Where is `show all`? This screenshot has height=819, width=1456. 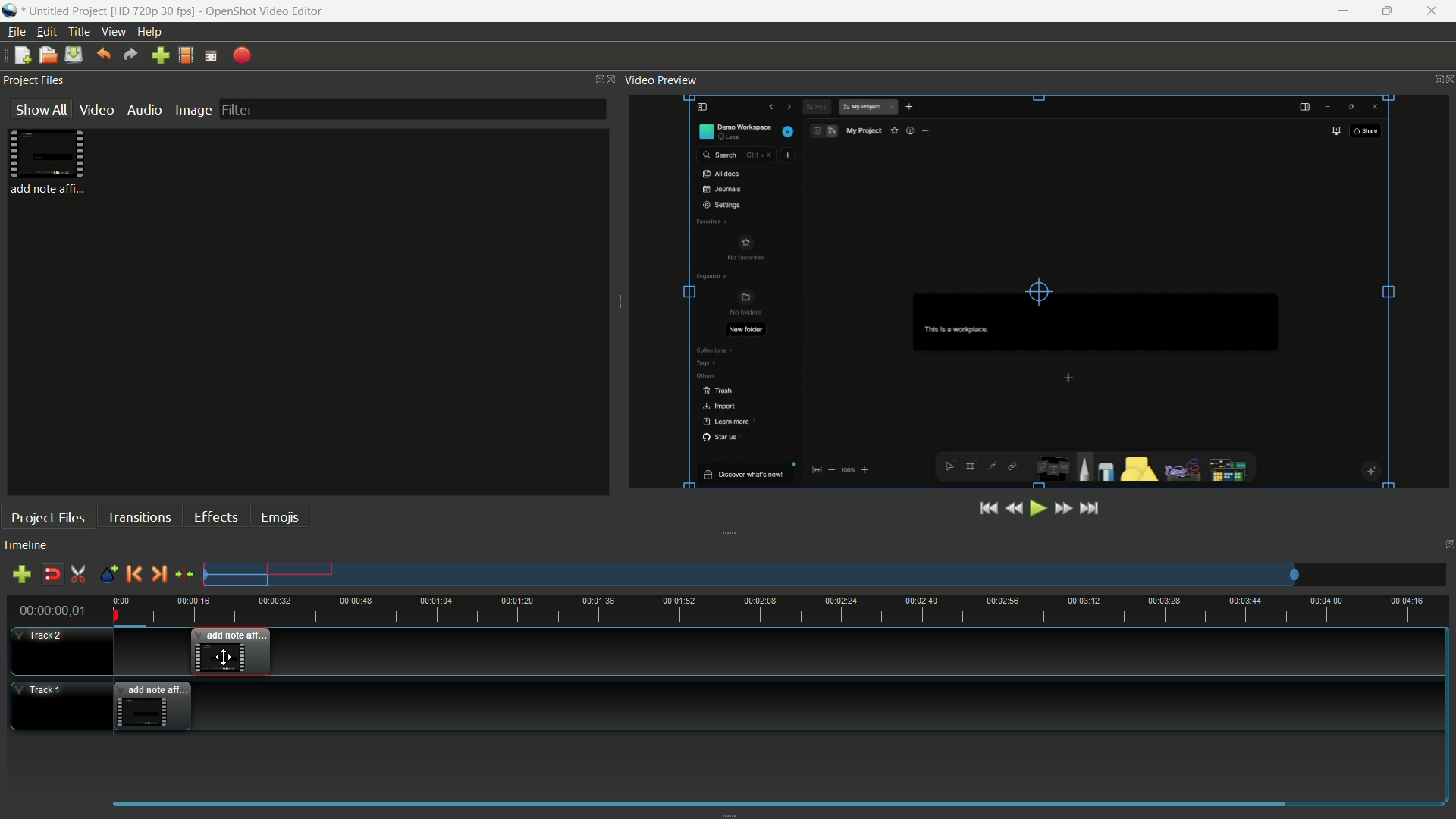
show all is located at coordinates (38, 110).